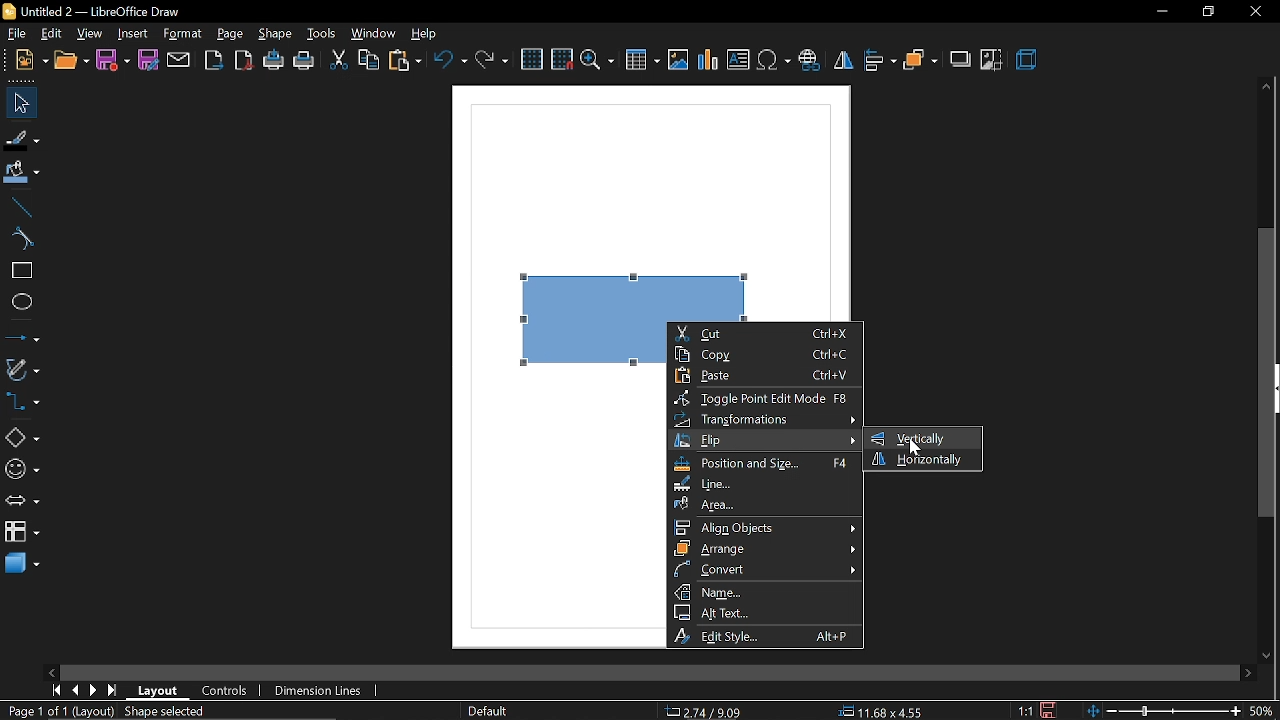  What do you see at coordinates (708, 61) in the screenshot?
I see `insert chart` at bounding box center [708, 61].